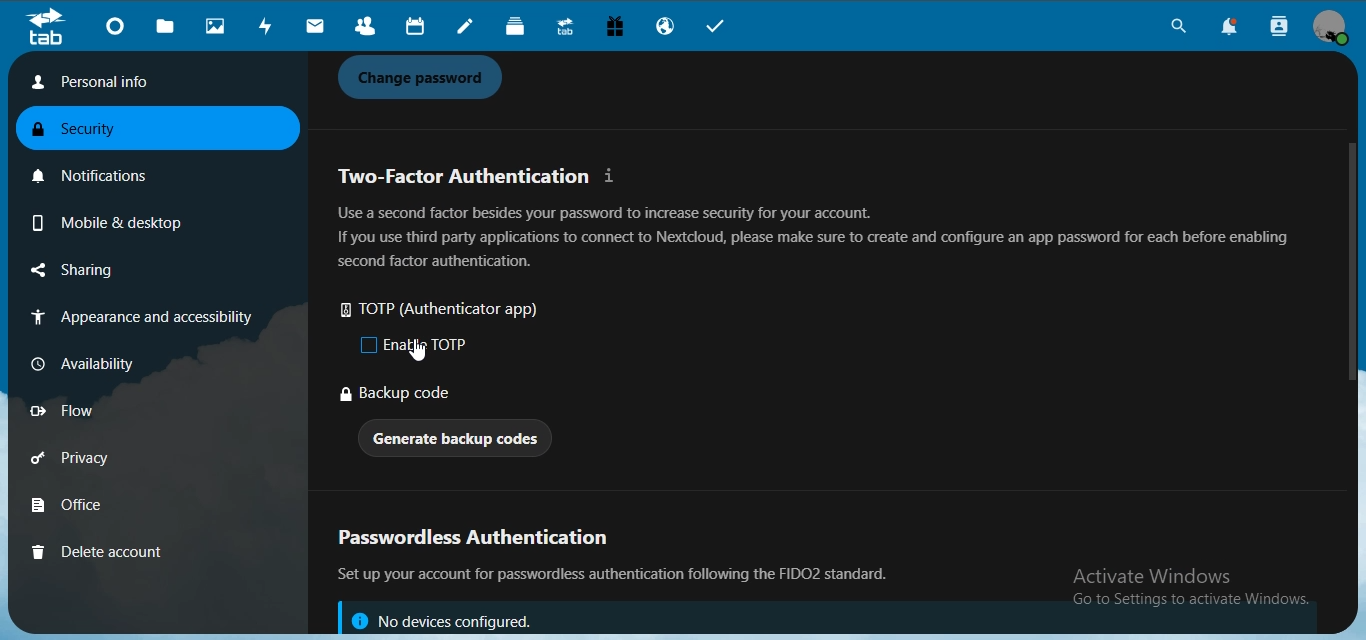 This screenshot has width=1366, height=640. What do you see at coordinates (418, 352) in the screenshot?
I see `cursor` at bounding box center [418, 352].